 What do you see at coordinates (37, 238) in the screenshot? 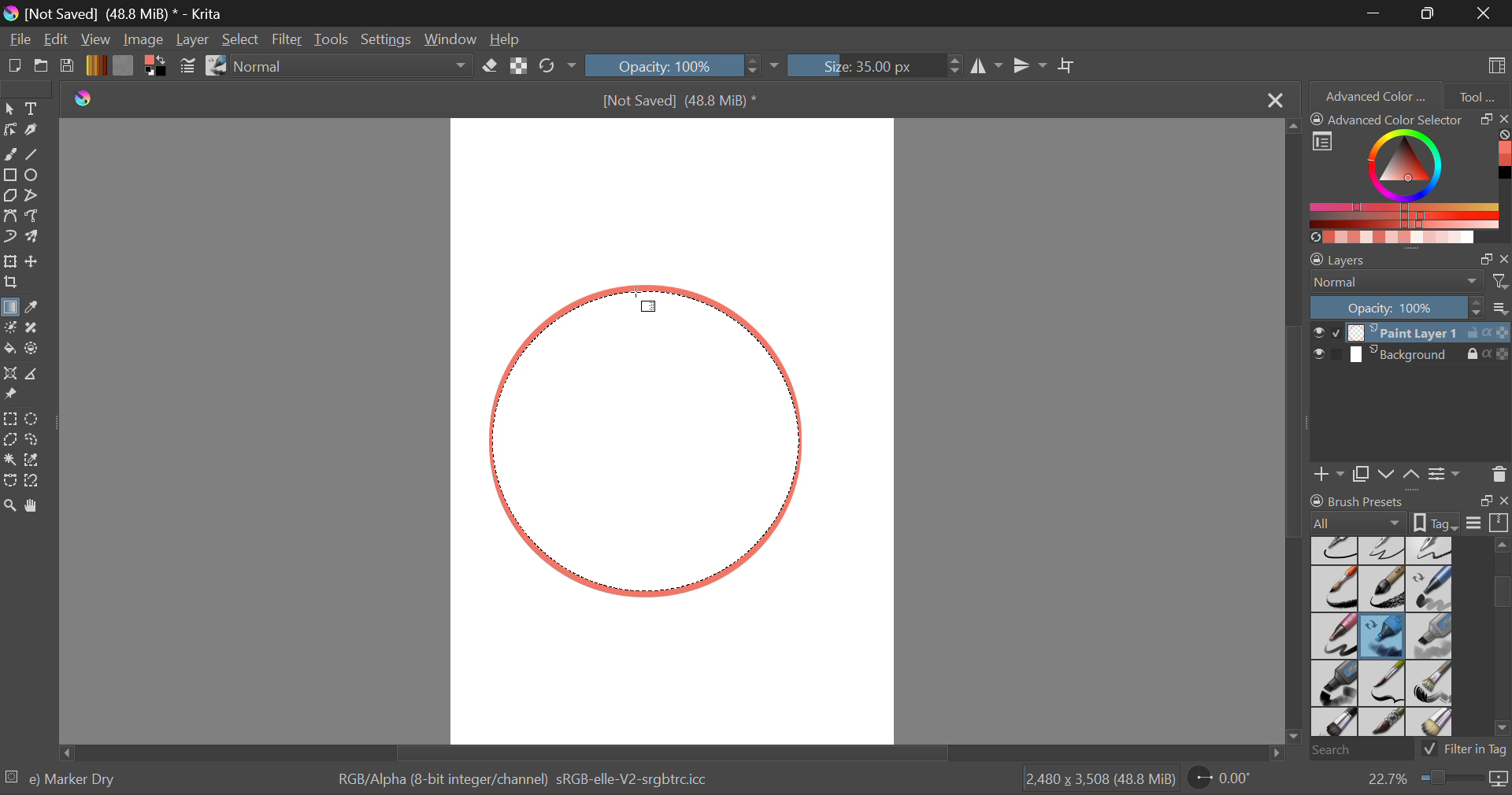
I see `Multibrush Tool` at bounding box center [37, 238].